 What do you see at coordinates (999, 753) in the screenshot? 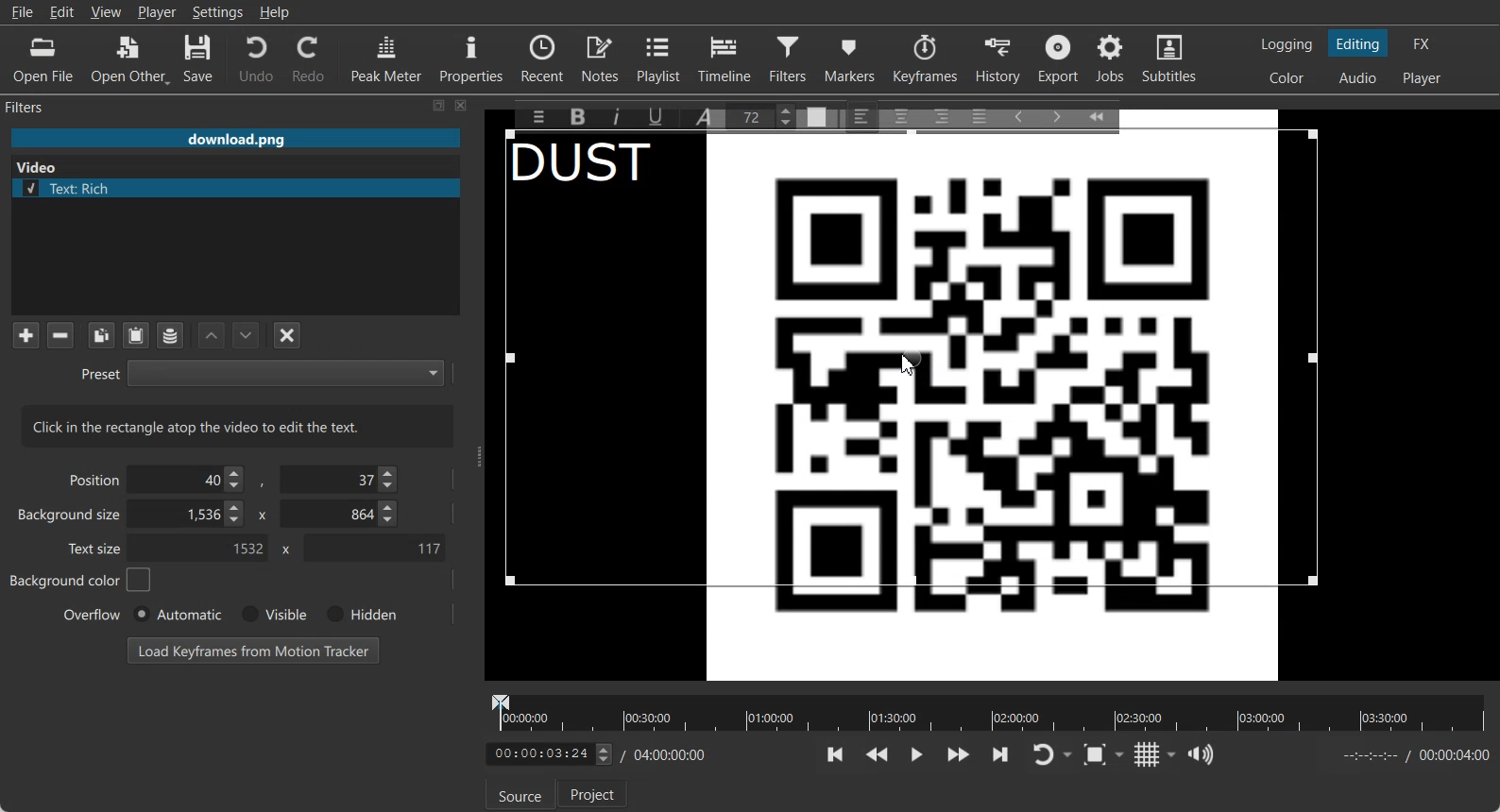
I see `Skip to the next point` at bounding box center [999, 753].